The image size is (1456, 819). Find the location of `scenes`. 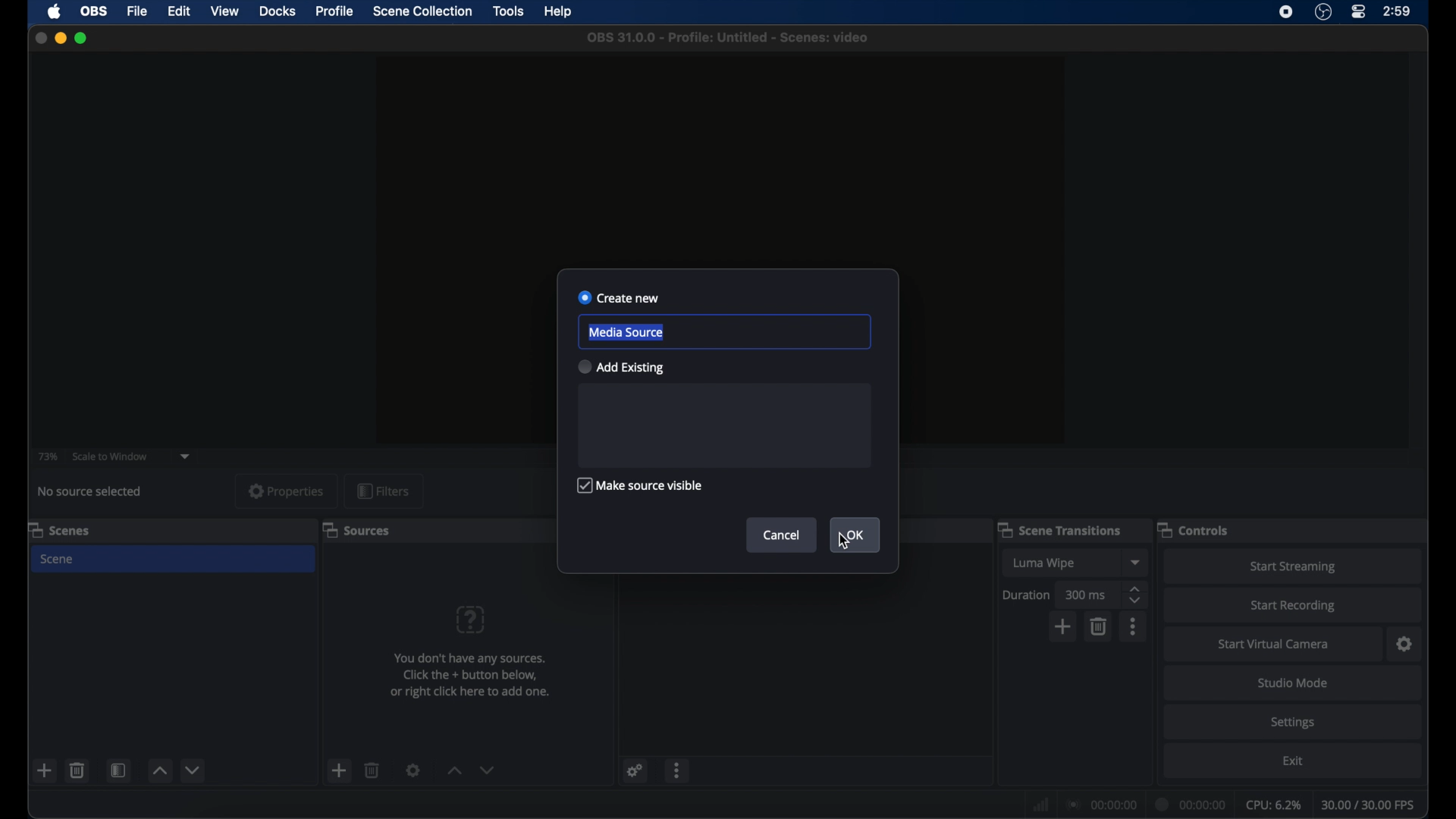

scenes is located at coordinates (60, 529).